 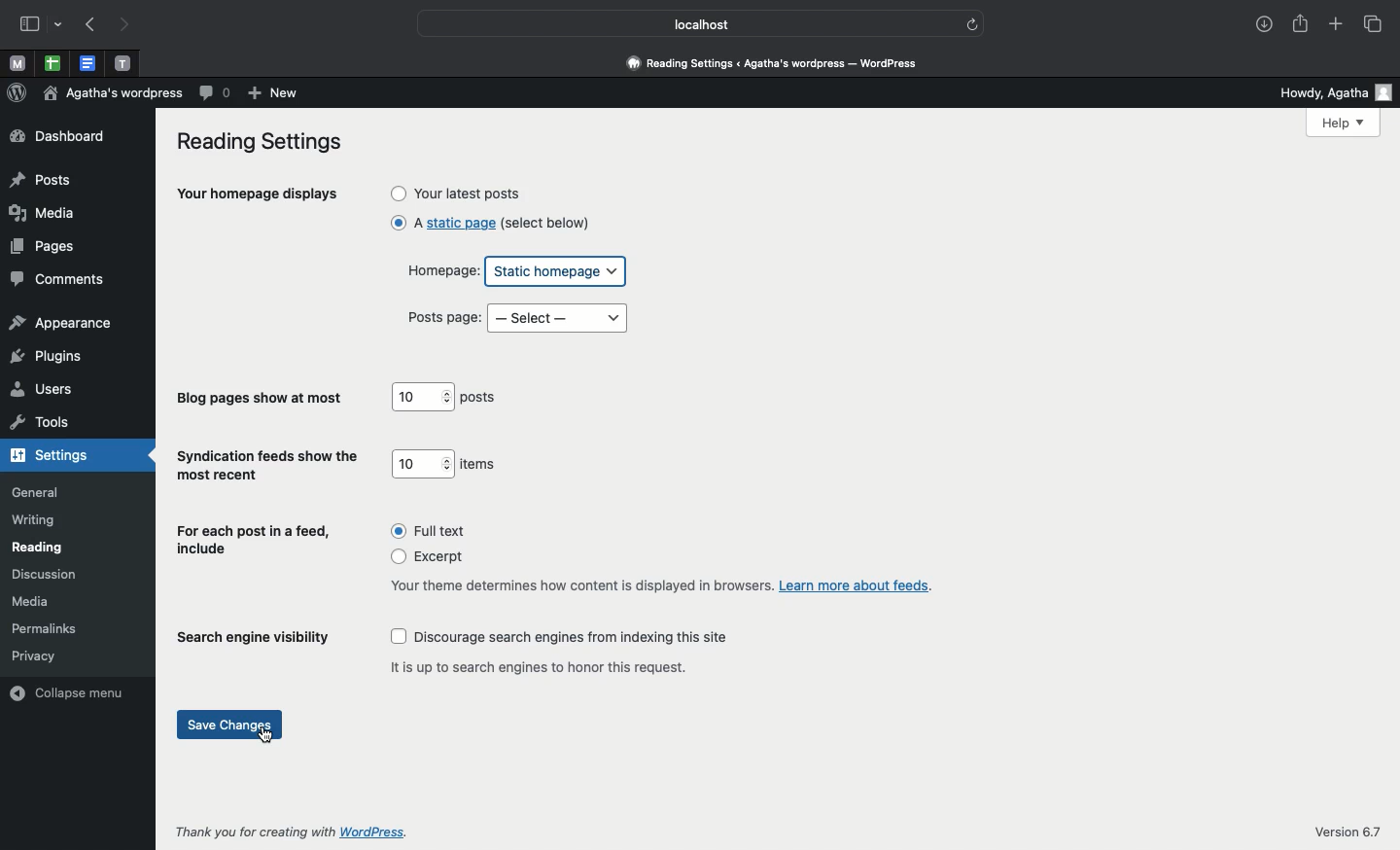 What do you see at coordinates (554, 270) in the screenshot?
I see `Static homepage` at bounding box center [554, 270].